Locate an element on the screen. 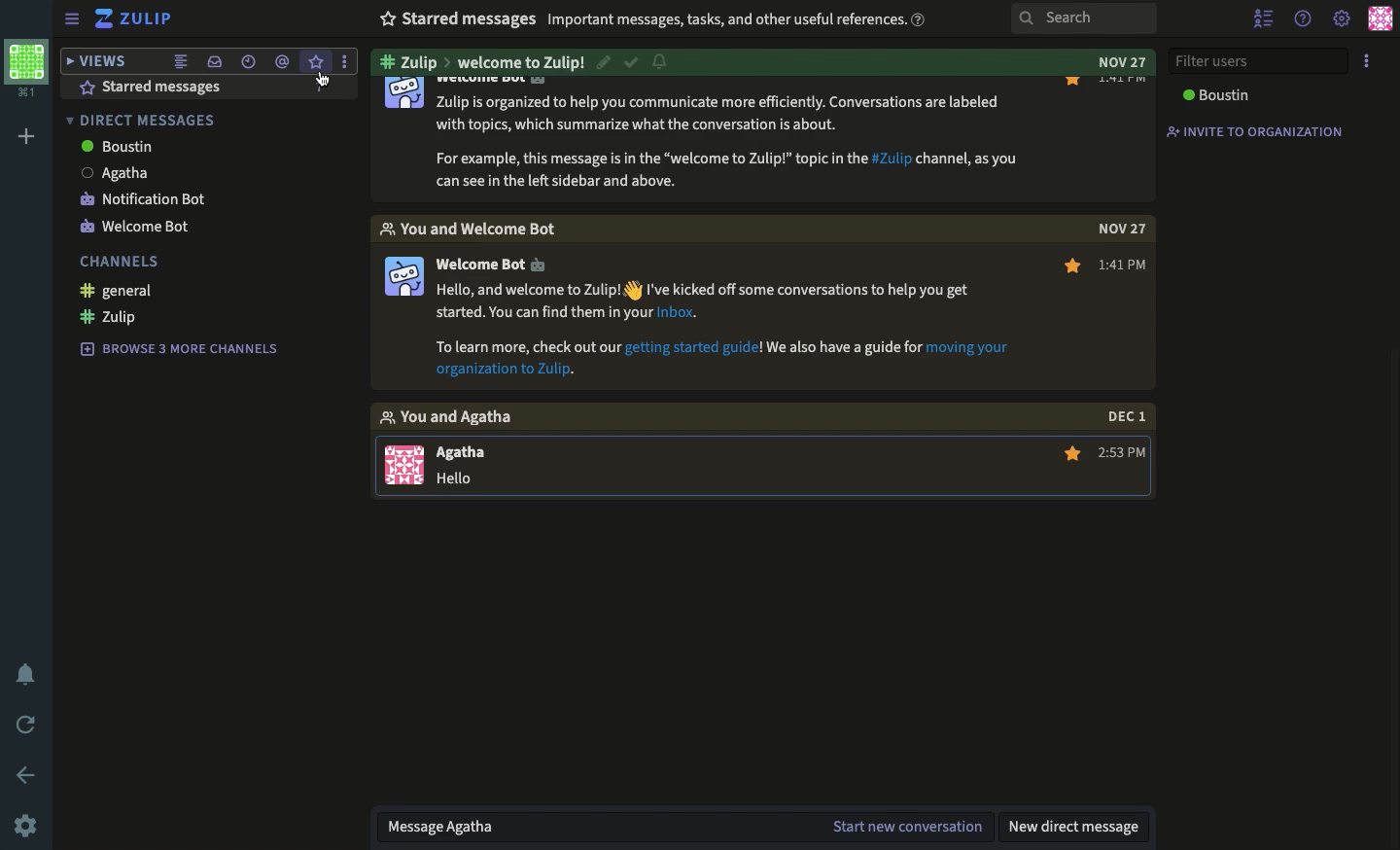  Cursor is located at coordinates (319, 88).